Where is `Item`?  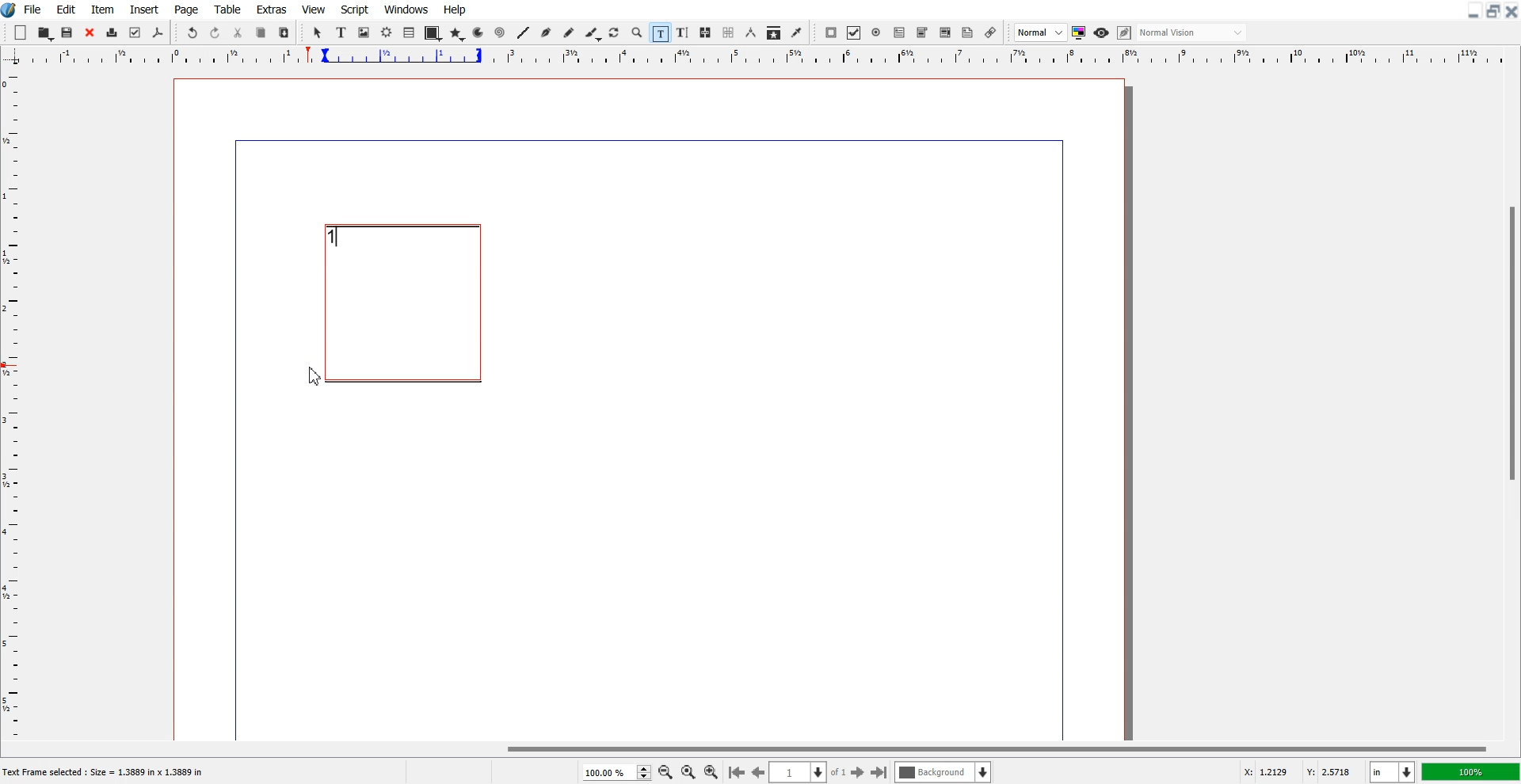
Item is located at coordinates (102, 10).